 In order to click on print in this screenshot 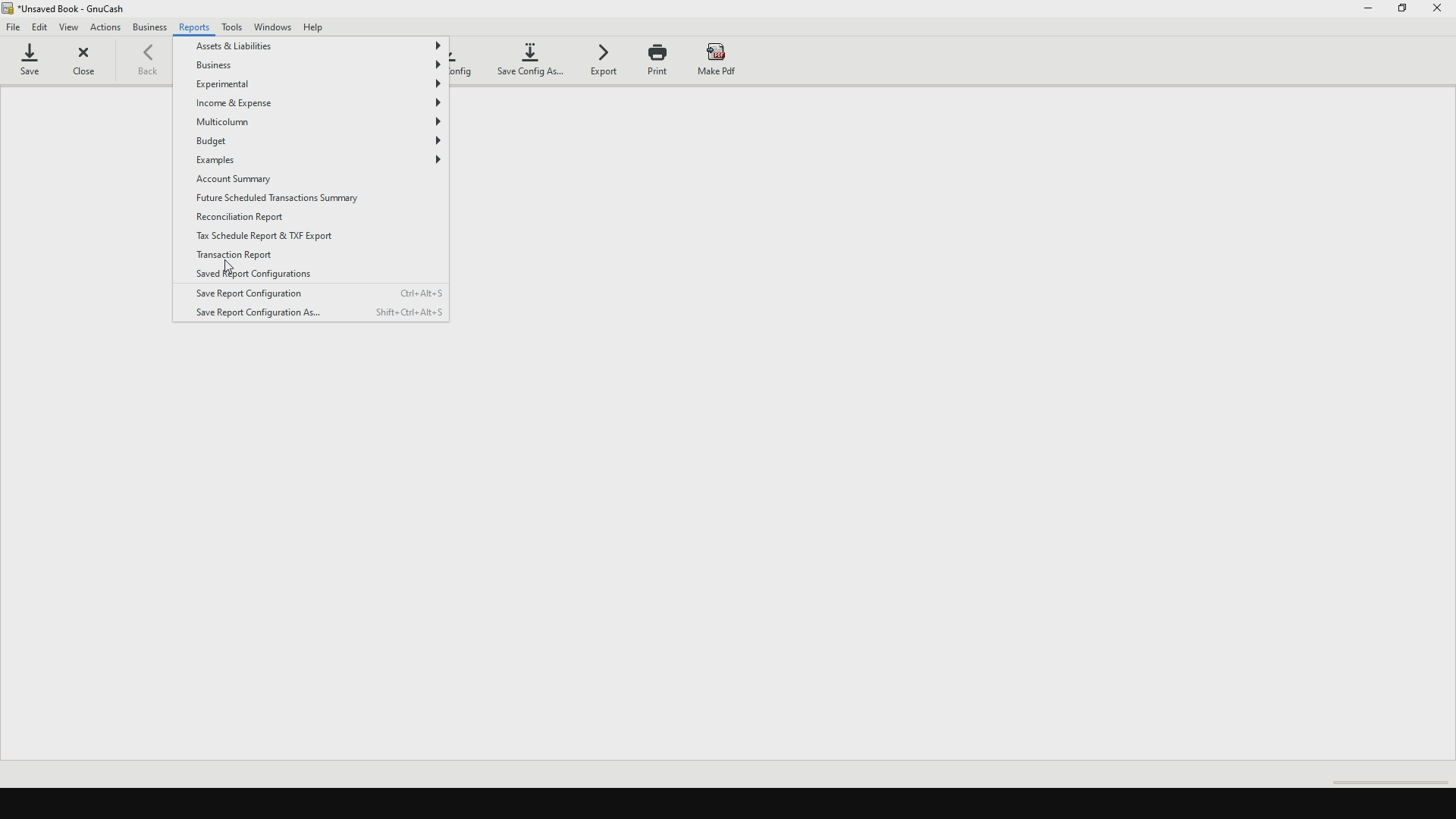, I will do `click(659, 60)`.